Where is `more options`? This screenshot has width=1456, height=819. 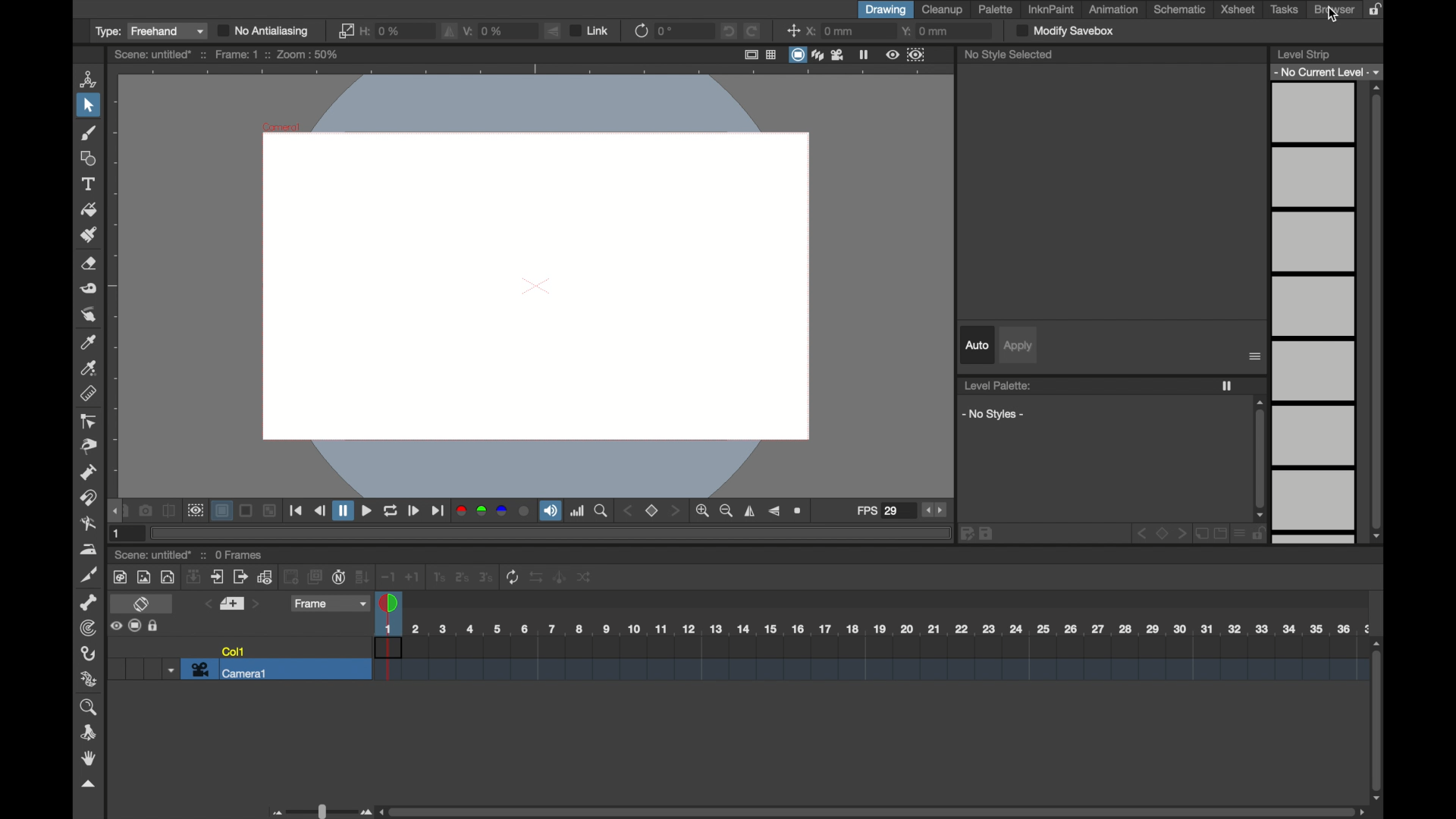
more options is located at coordinates (1255, 357).